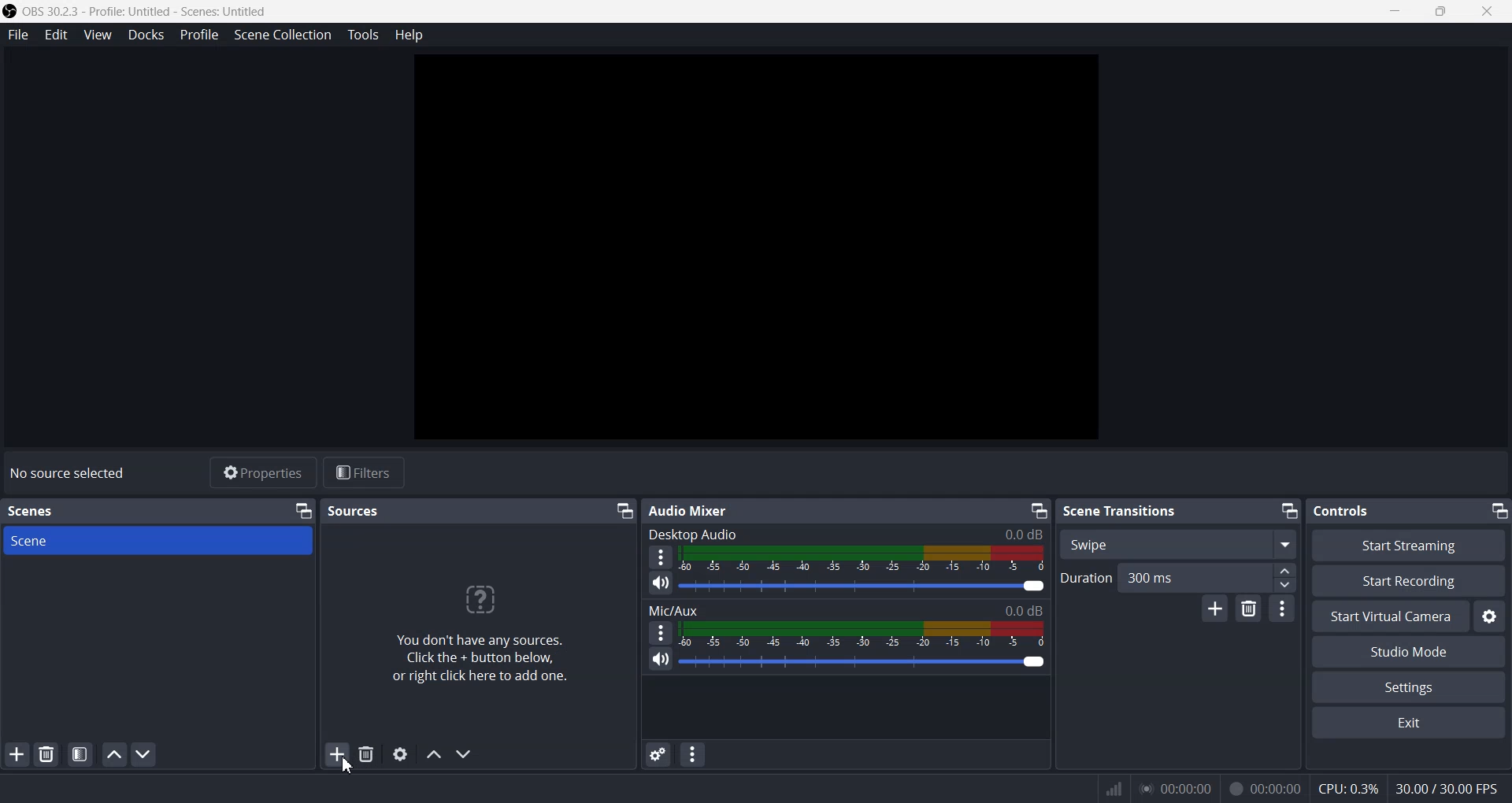 The height and width of the screenshot is (803, 1512). Describe the element at coordinates (862, 586) in the screenshot. I see `Volume Adjuster` at that location.